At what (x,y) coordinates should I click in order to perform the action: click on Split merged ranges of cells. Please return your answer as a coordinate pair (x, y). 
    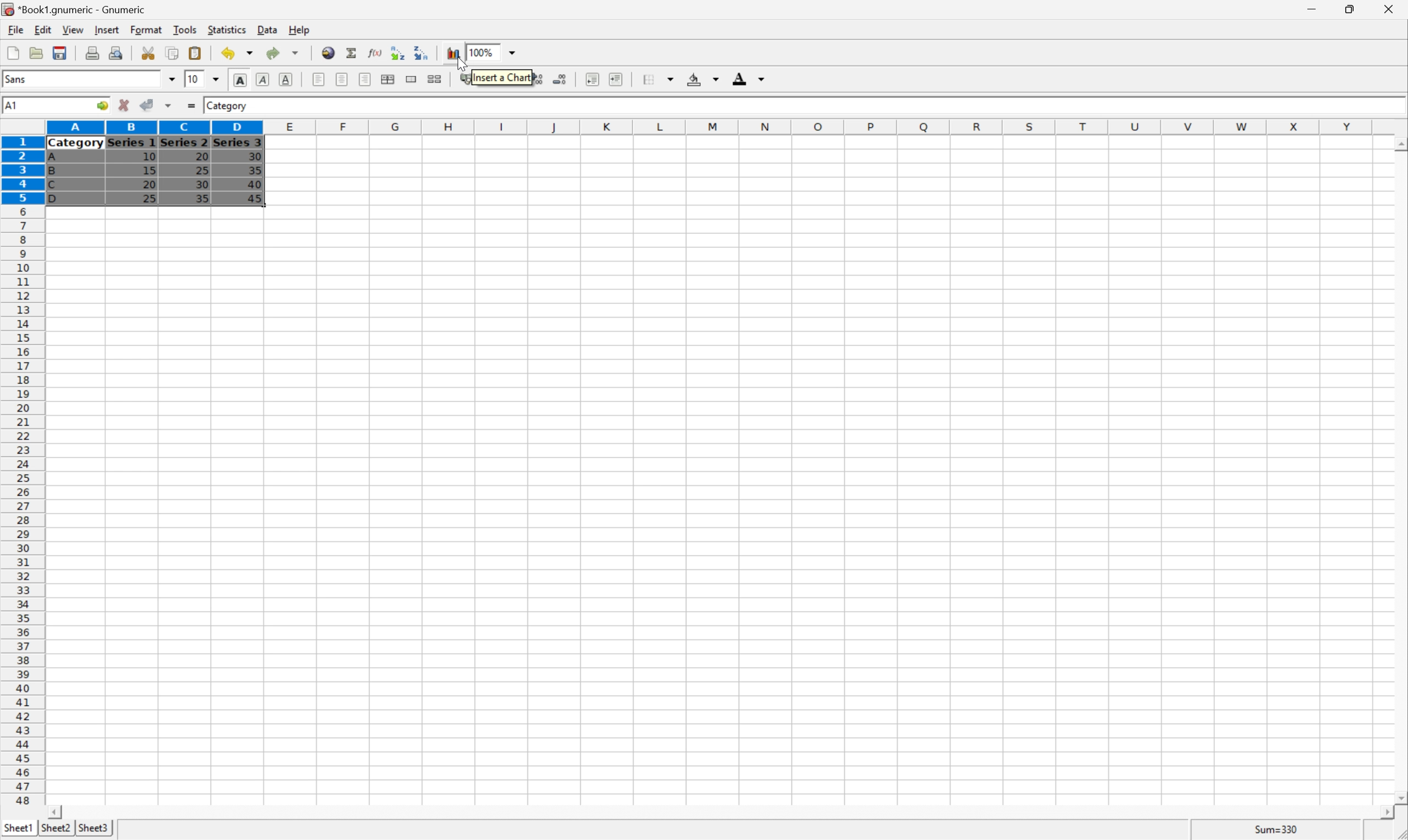
    Looking at the image, I should click on (435, 79).